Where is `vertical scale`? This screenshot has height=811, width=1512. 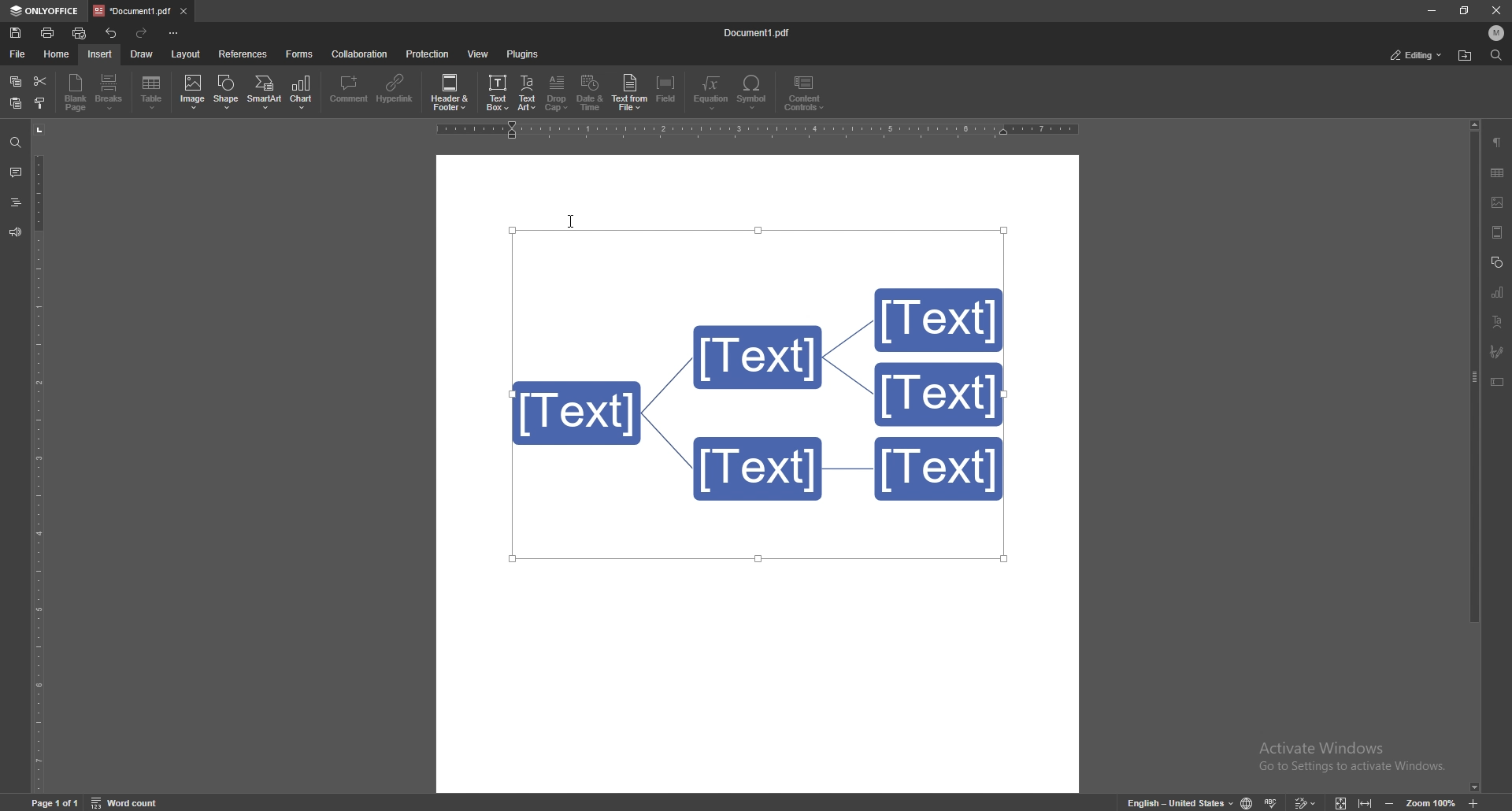 vertical scale is located at coordinates (38, 456).